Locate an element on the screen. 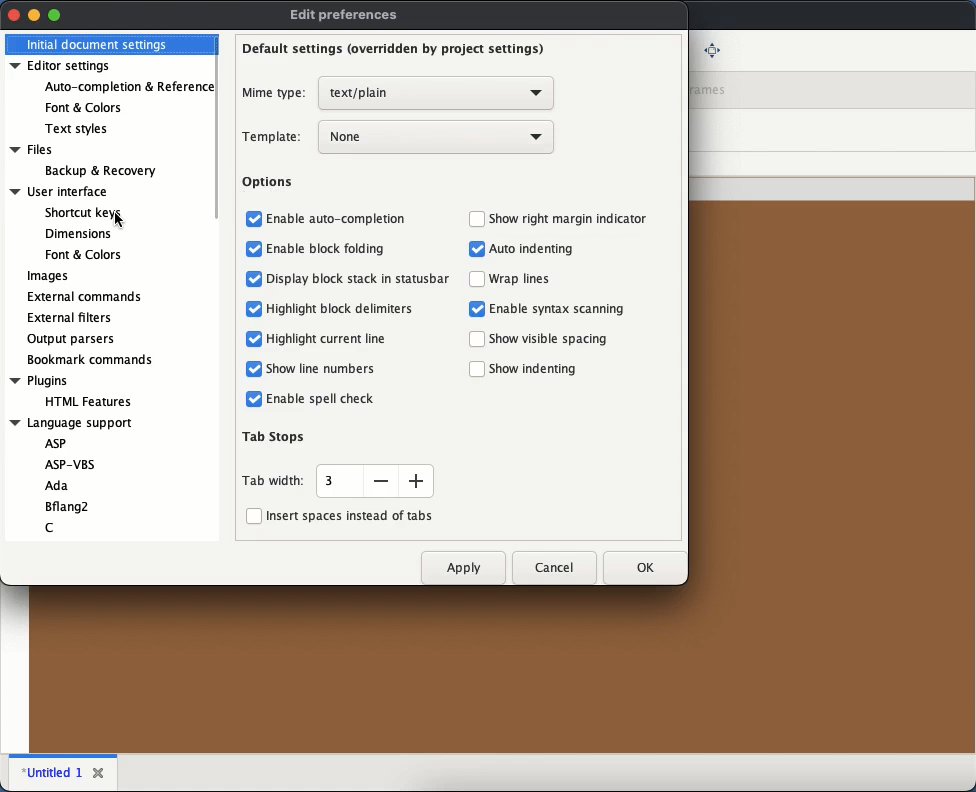 The width and height of the screenshot is (976, 792). checkbox enabled is located at coordinates (254, 339).